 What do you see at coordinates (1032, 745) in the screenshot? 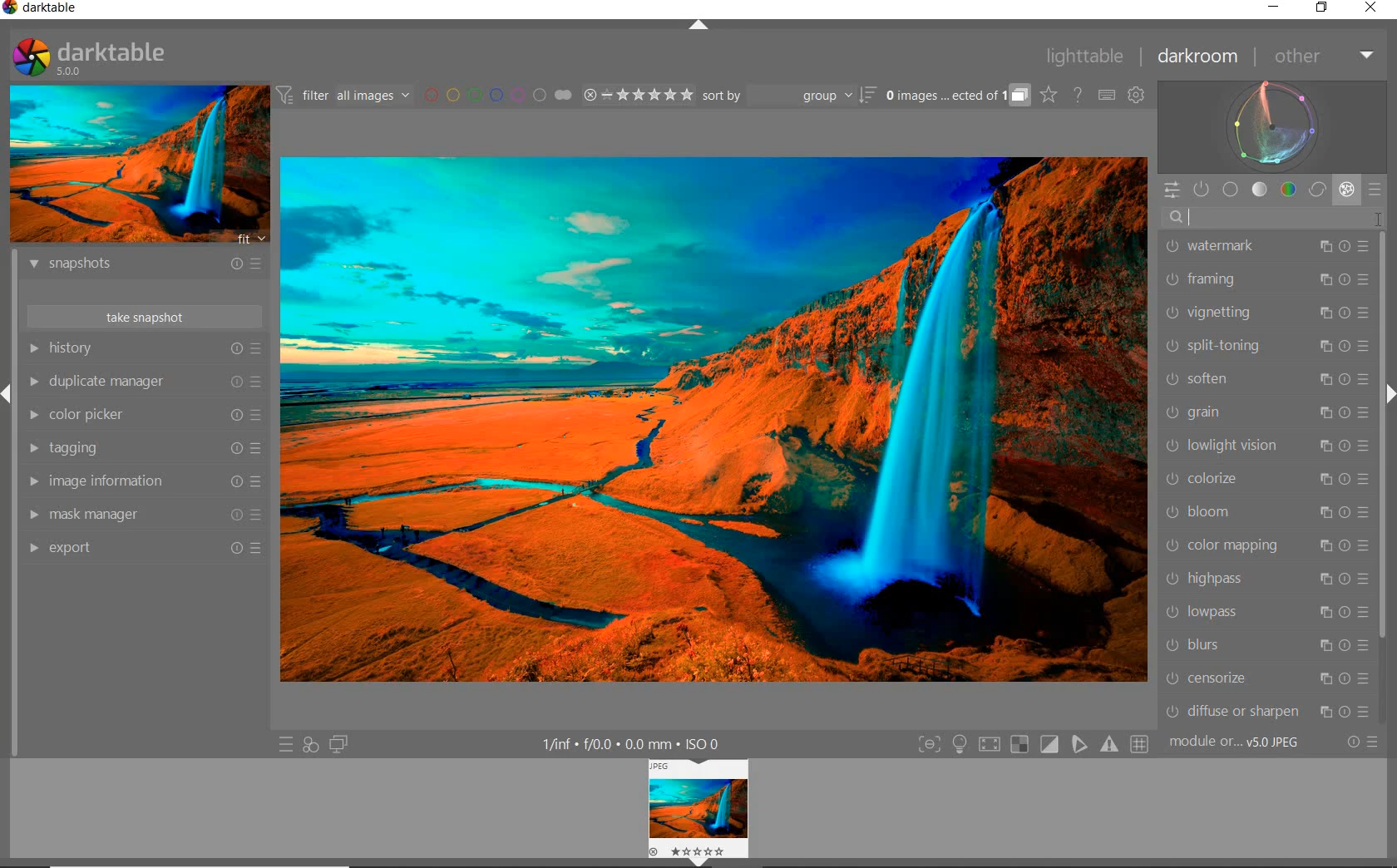
I see `TOGGLE MODES` at bounding box center [1032, 745].